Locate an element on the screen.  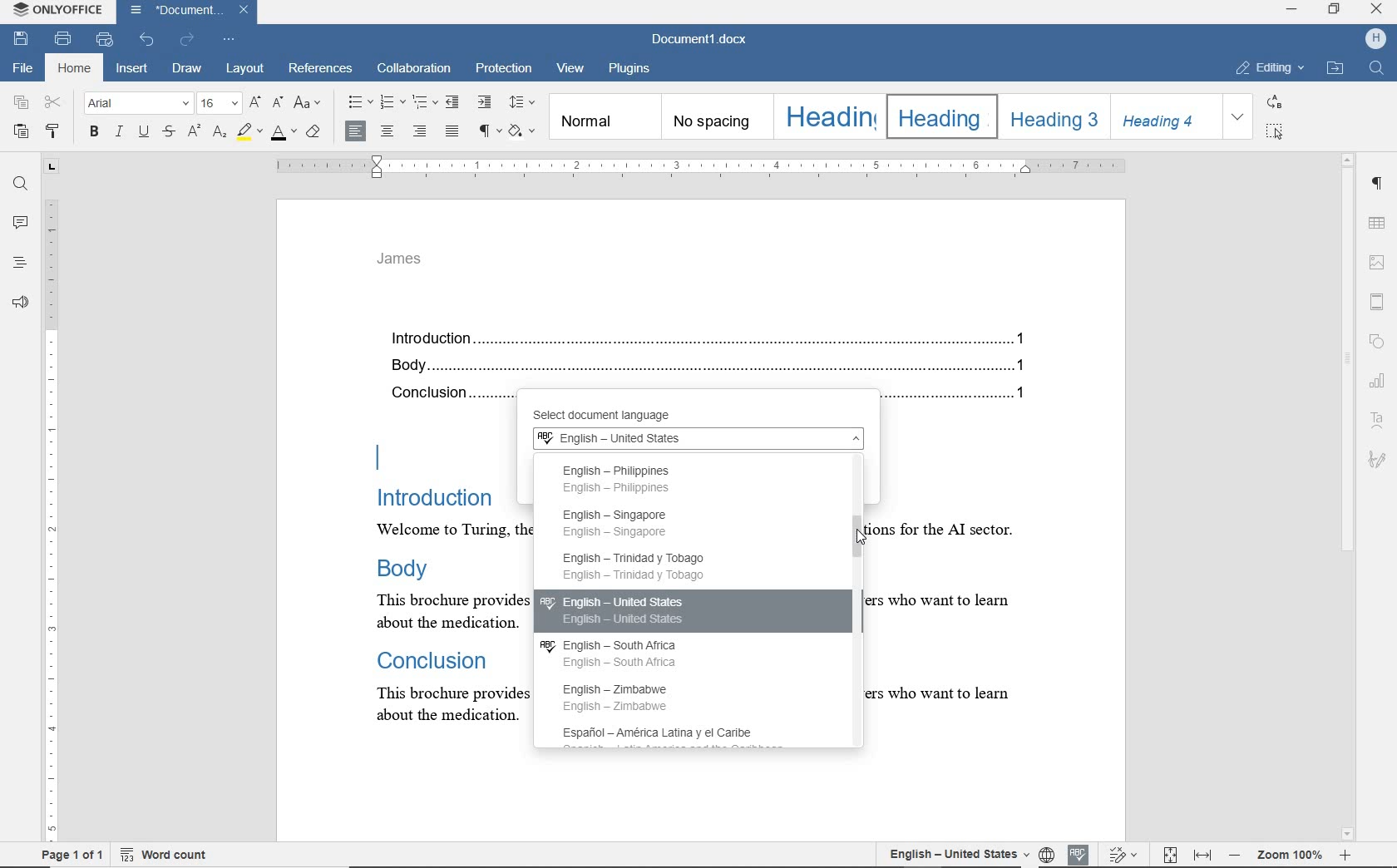
header & footer is located at coordinates (1380, 301).